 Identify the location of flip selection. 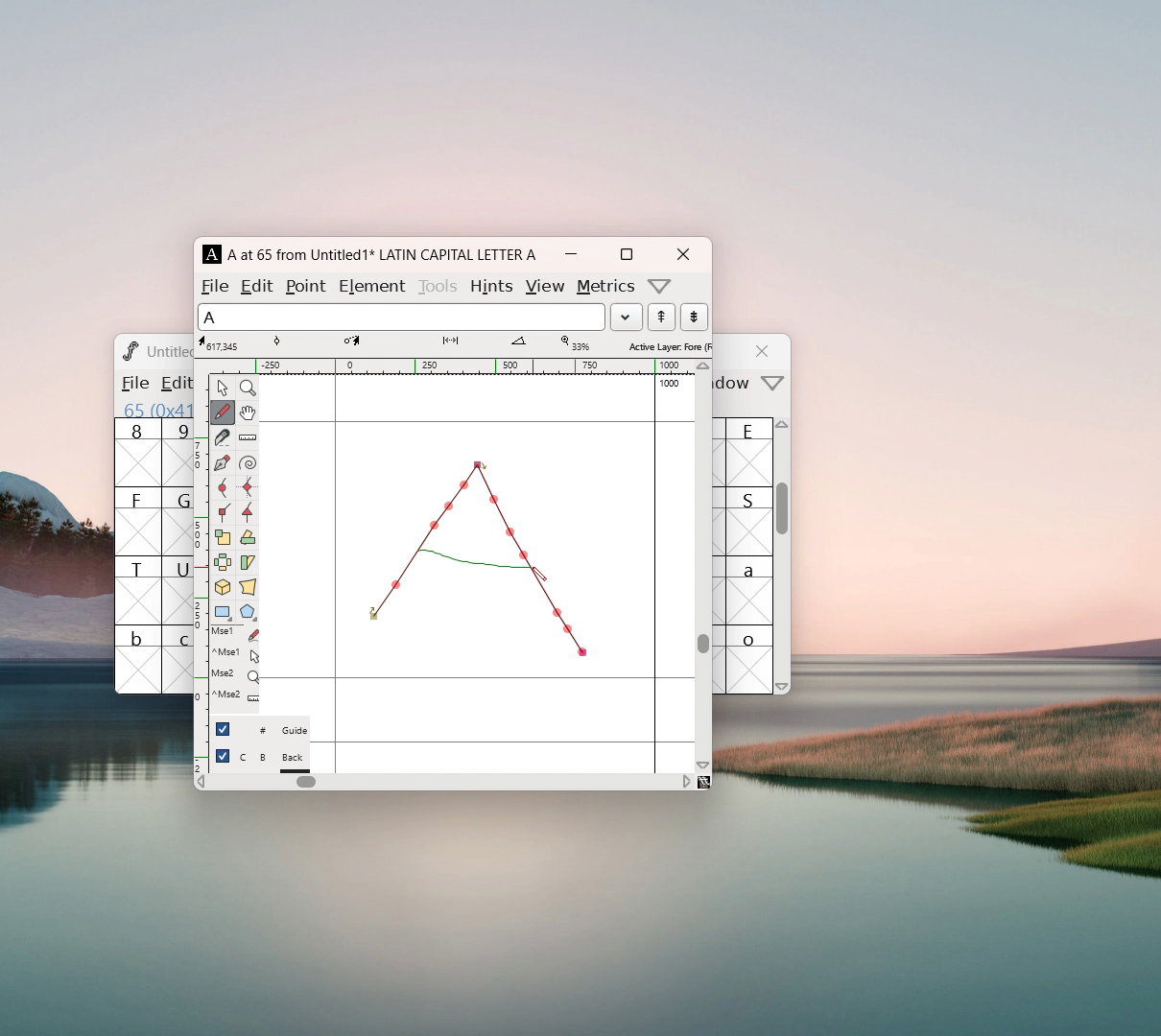
(223, 565).